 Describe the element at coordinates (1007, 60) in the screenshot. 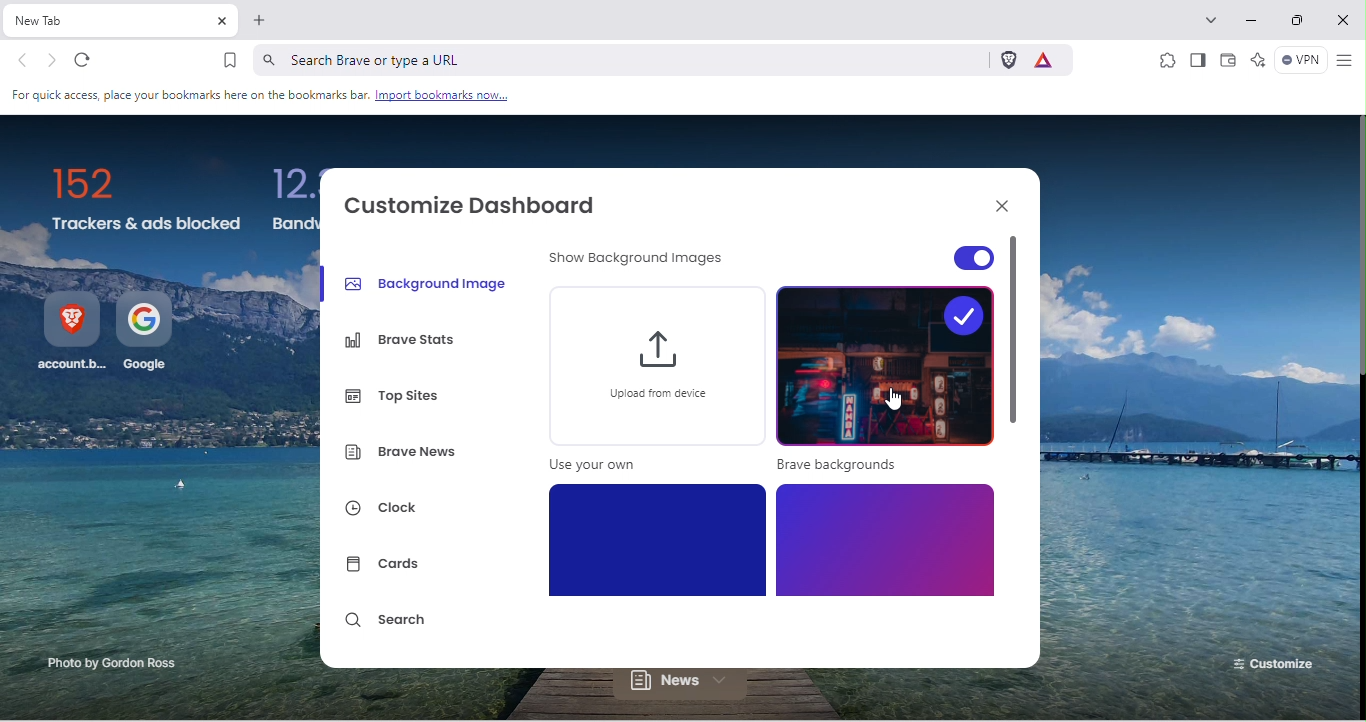

I see `Brave shields` at that location.